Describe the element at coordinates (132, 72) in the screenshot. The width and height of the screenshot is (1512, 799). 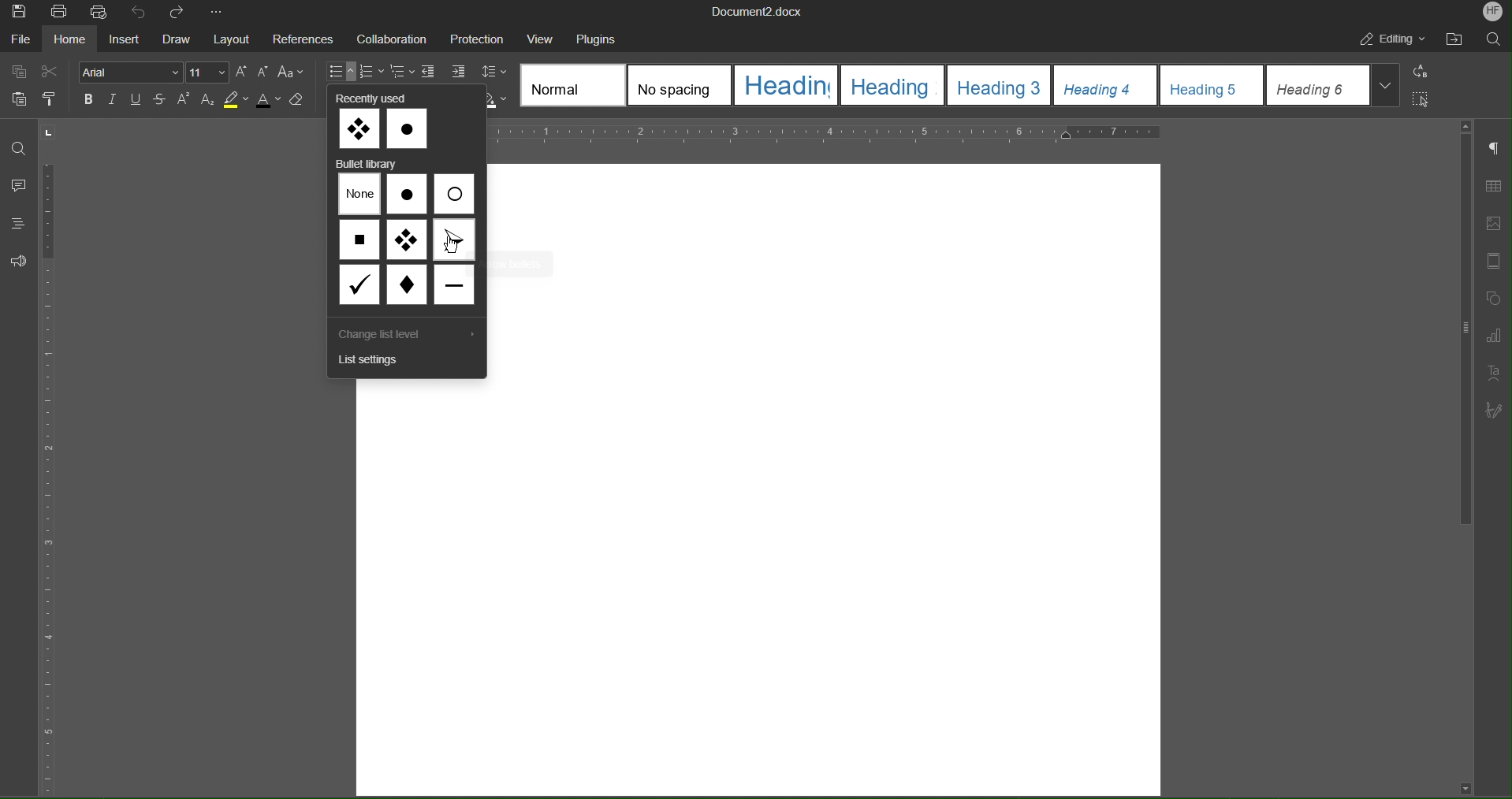
I see `Font` at that location.